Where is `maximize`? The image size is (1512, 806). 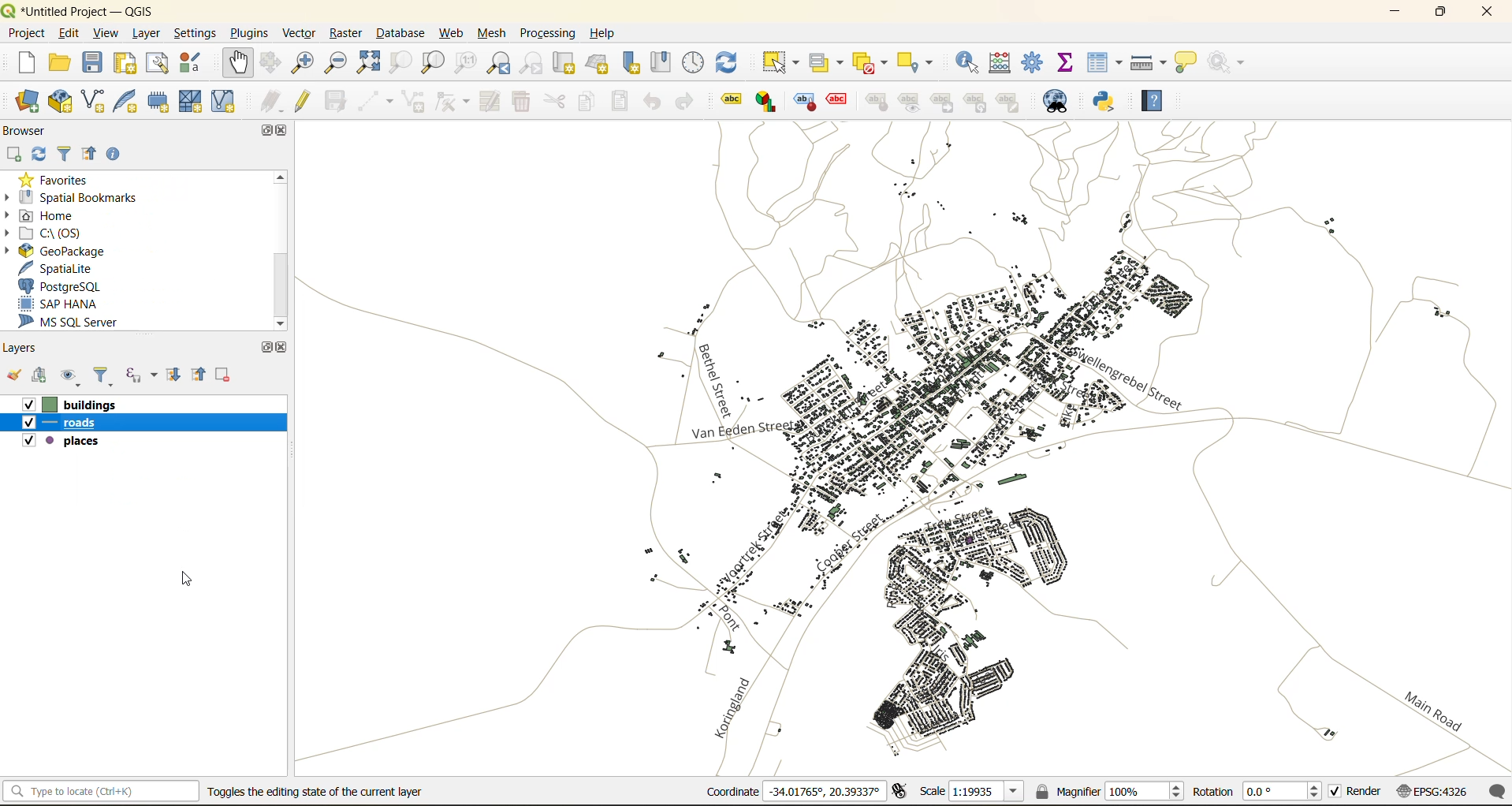
maximize is located at coordinates (265, 346).